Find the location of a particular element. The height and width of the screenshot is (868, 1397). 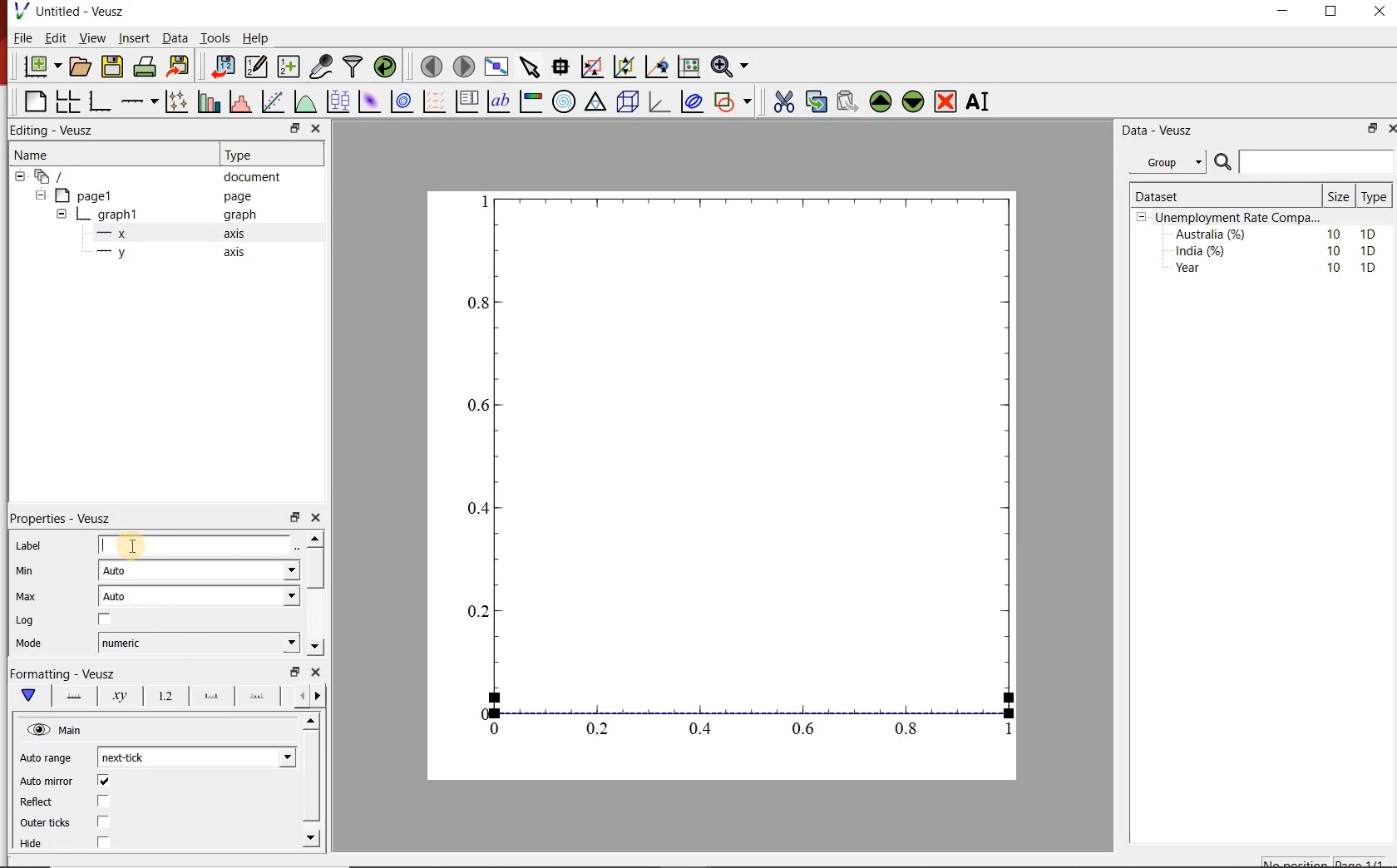

Auto mirror is located at coordinates (48, 782).